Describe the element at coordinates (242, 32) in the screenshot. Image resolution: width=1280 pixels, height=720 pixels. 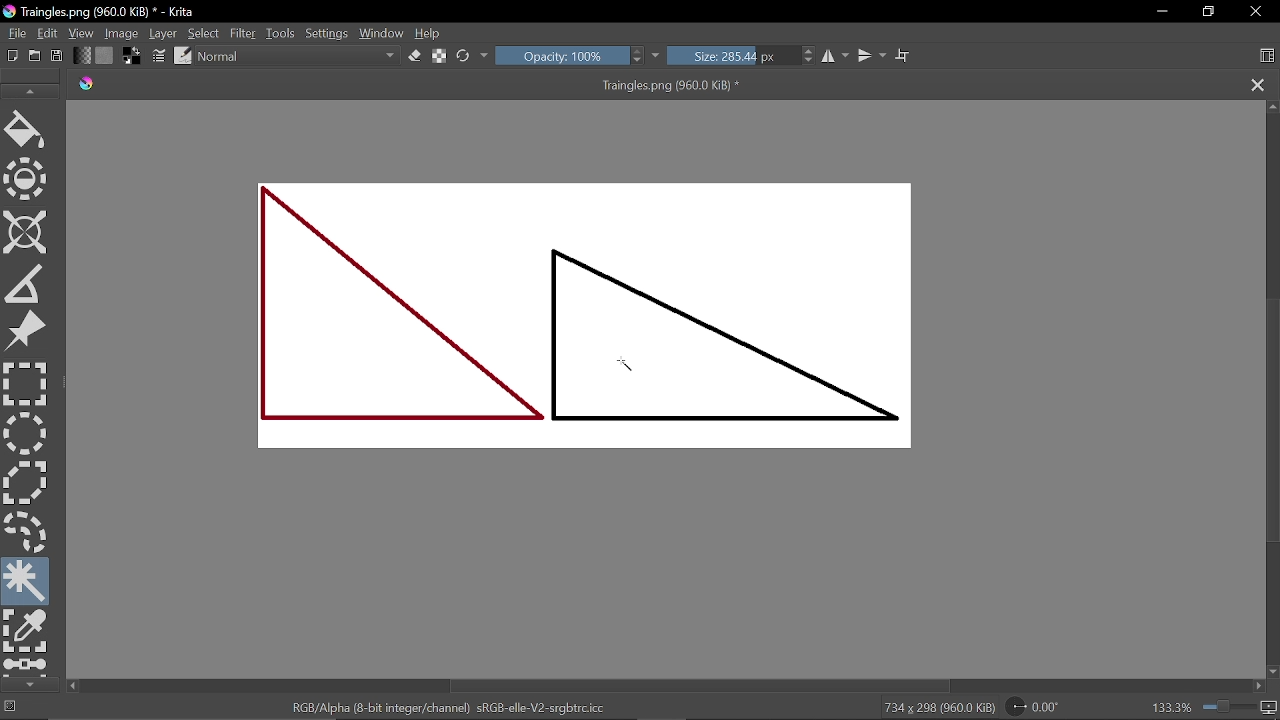
I see `Filter` at that location.